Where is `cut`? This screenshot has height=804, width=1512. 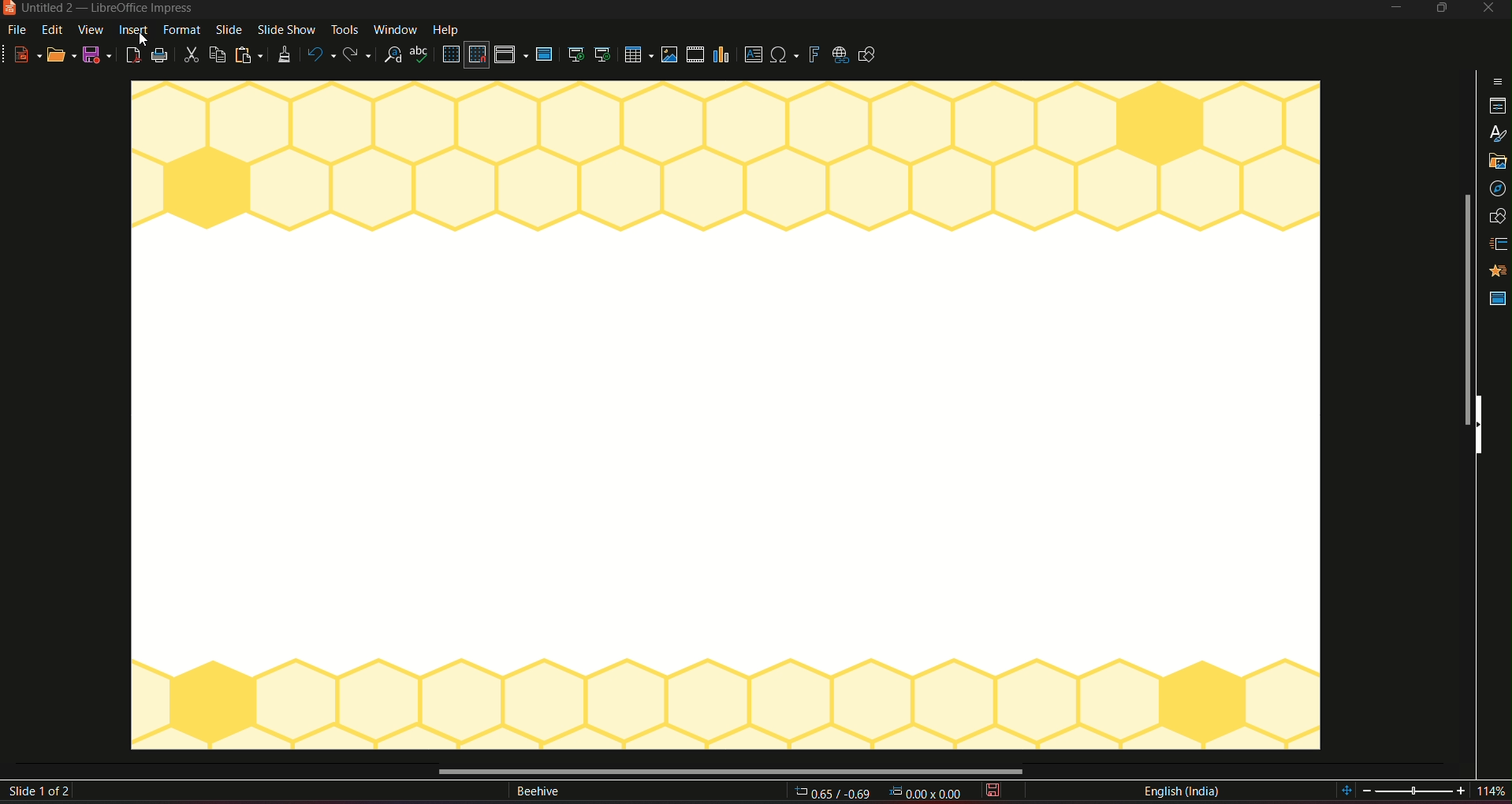
cut is located at coordinates (192, 56).